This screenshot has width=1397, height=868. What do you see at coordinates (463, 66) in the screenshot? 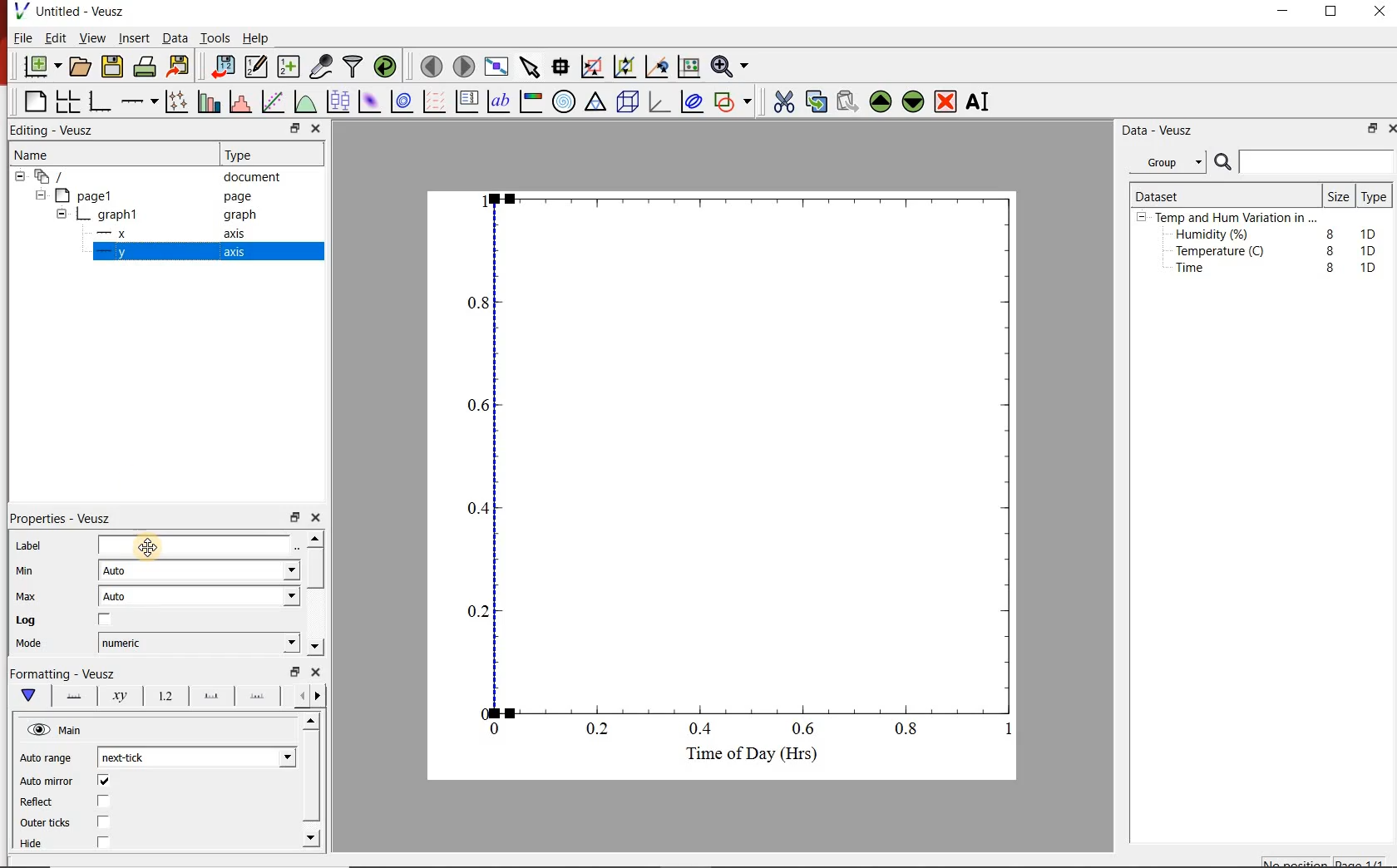
I see `move to the next page` at bounding box center [463, 66].